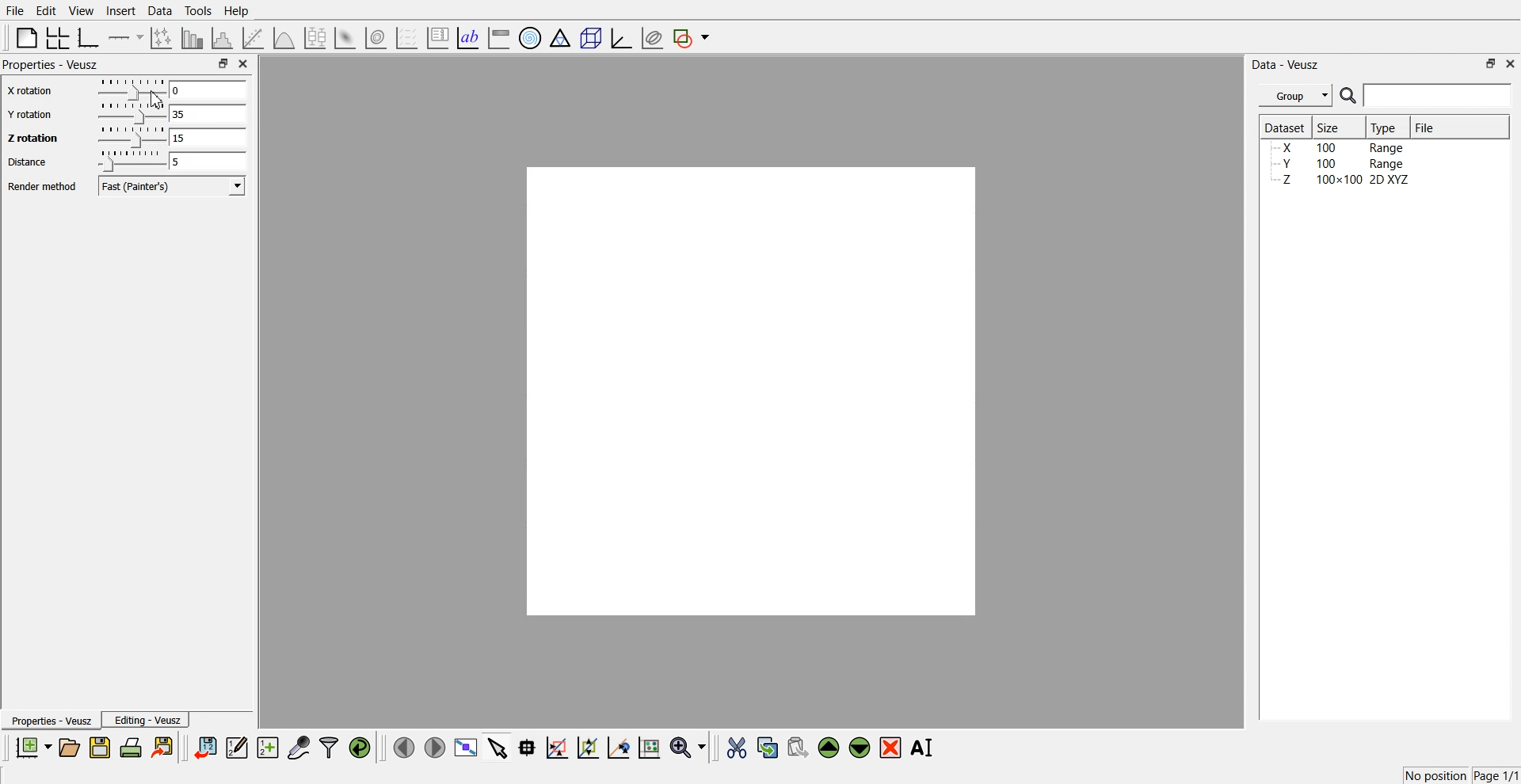 The image size is (1521, 784). What do you see at coordinates (82, 11) in the screenshot?
I see `View` at bounding box center [82, 11].